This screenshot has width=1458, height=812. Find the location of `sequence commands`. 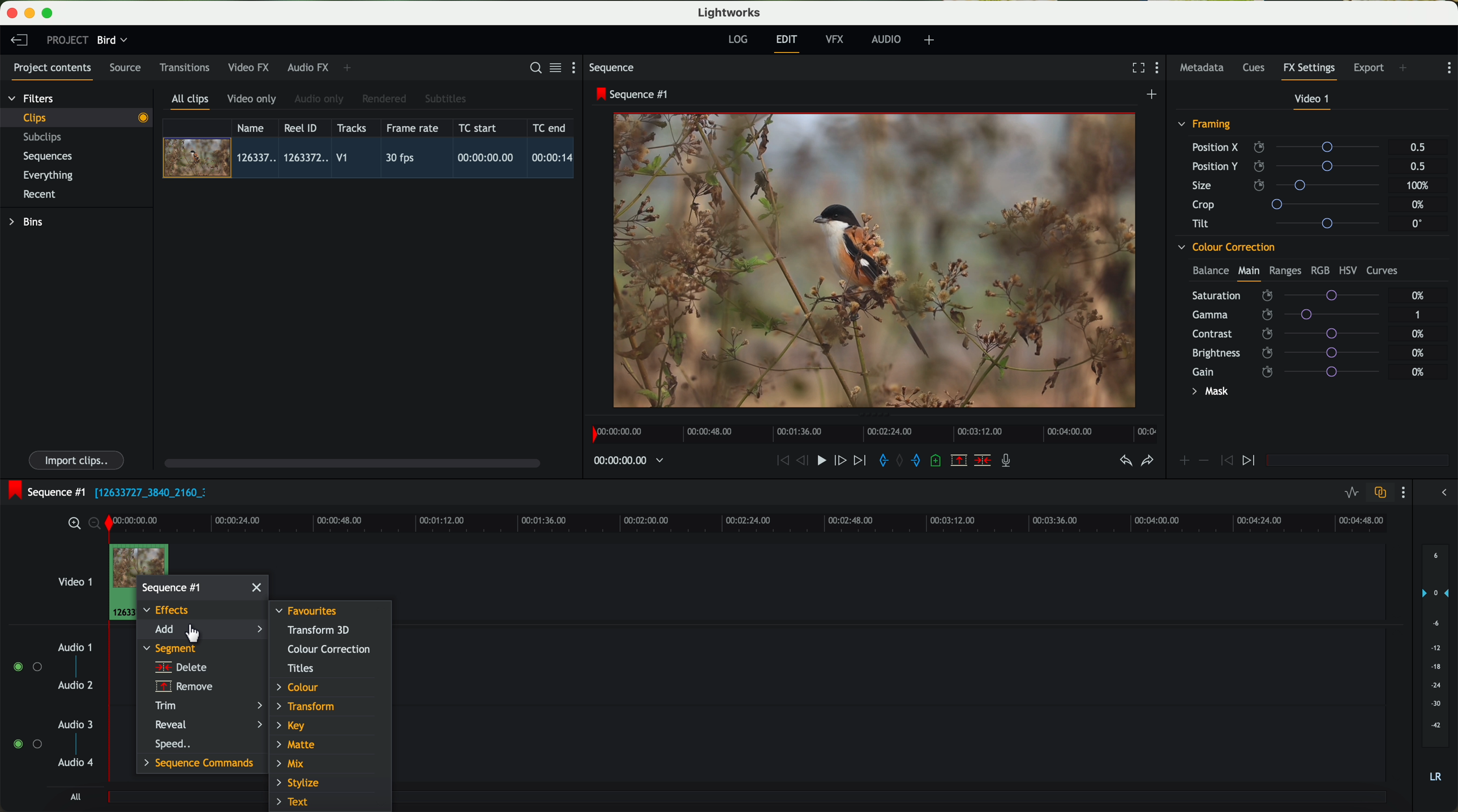

sequence commands is located at coordinates (203, 764).